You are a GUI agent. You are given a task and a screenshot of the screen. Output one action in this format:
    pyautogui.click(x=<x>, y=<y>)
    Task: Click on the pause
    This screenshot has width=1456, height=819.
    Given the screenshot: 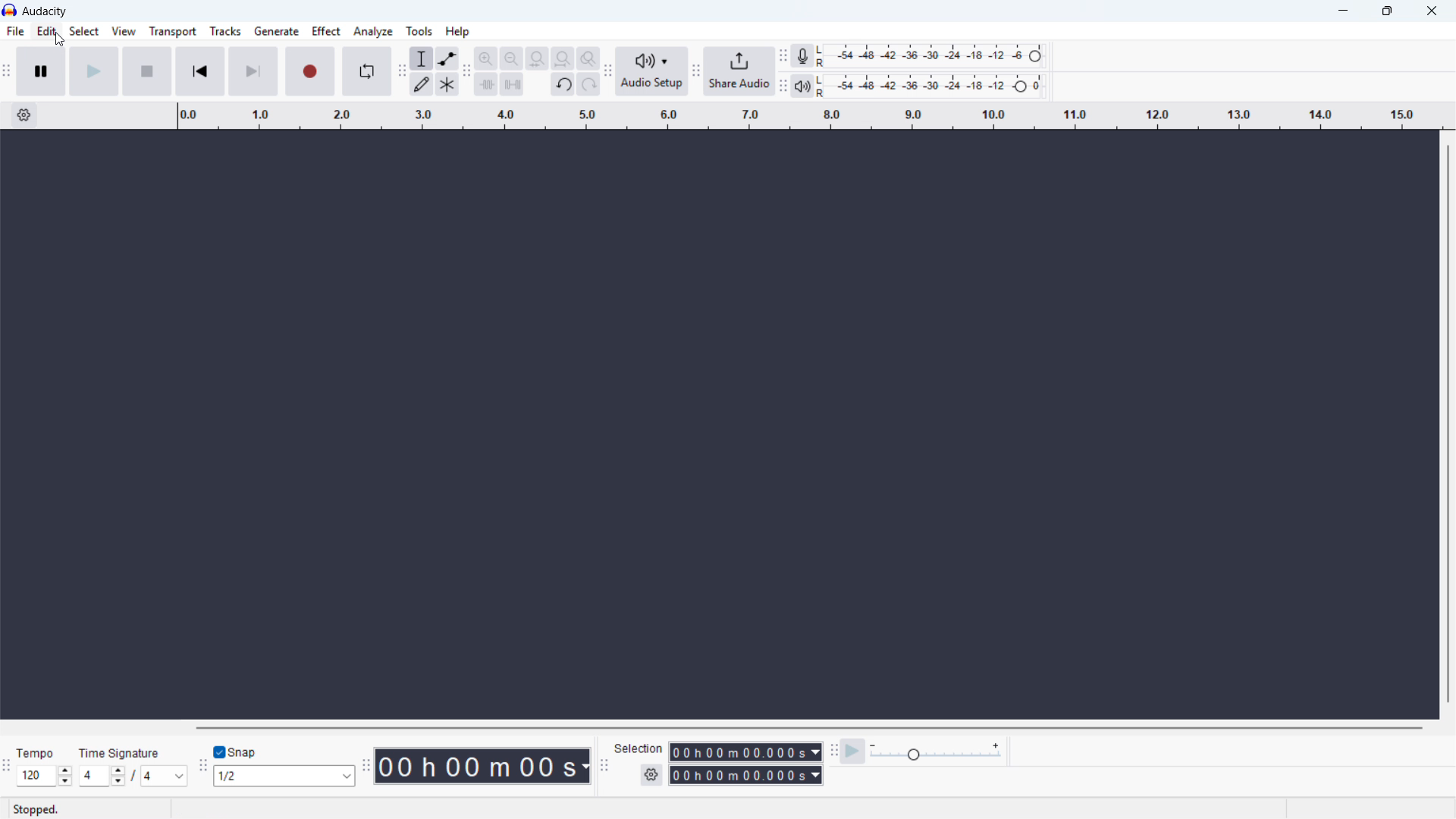 What is the action you would take?
    pyautogui.click(x=42, y=71)
    